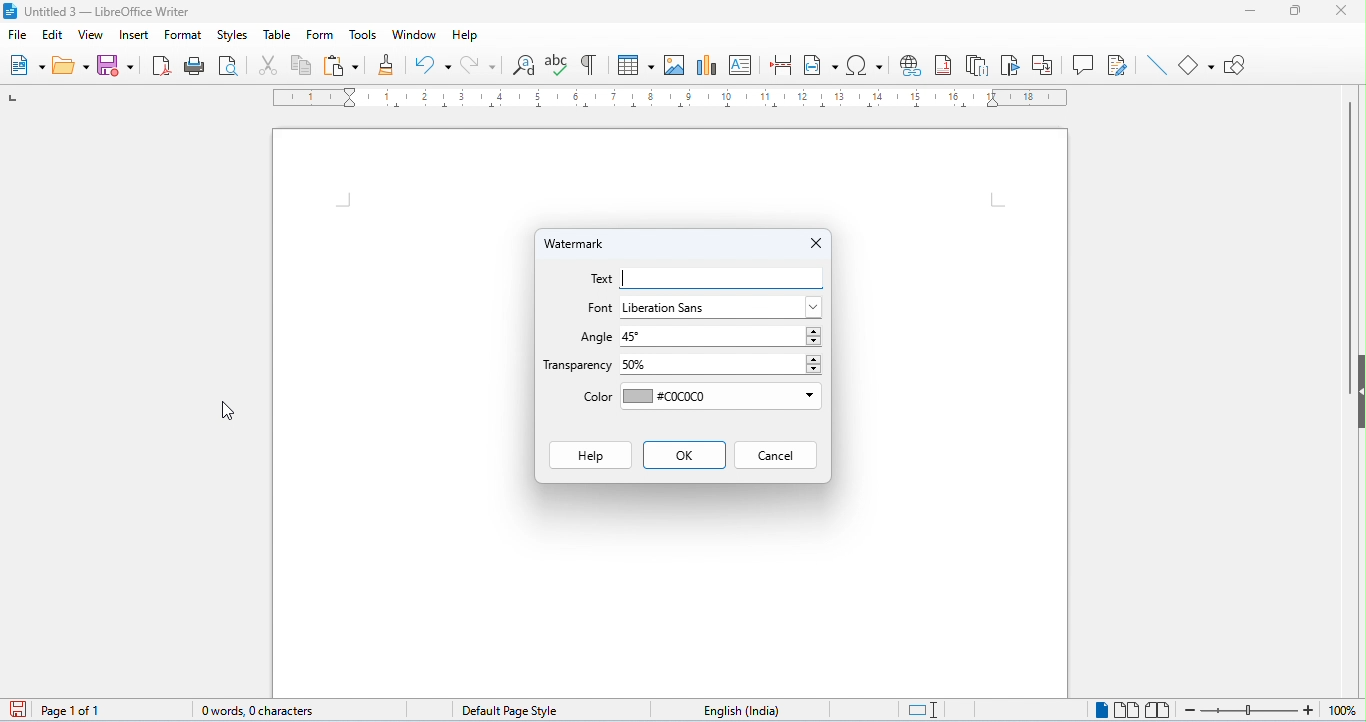 Image resolution: width=1366 pixels, height=722 pixels. Describe the element at coordinates (526, 66) in the screenshot. I see `find and replace` at that location.